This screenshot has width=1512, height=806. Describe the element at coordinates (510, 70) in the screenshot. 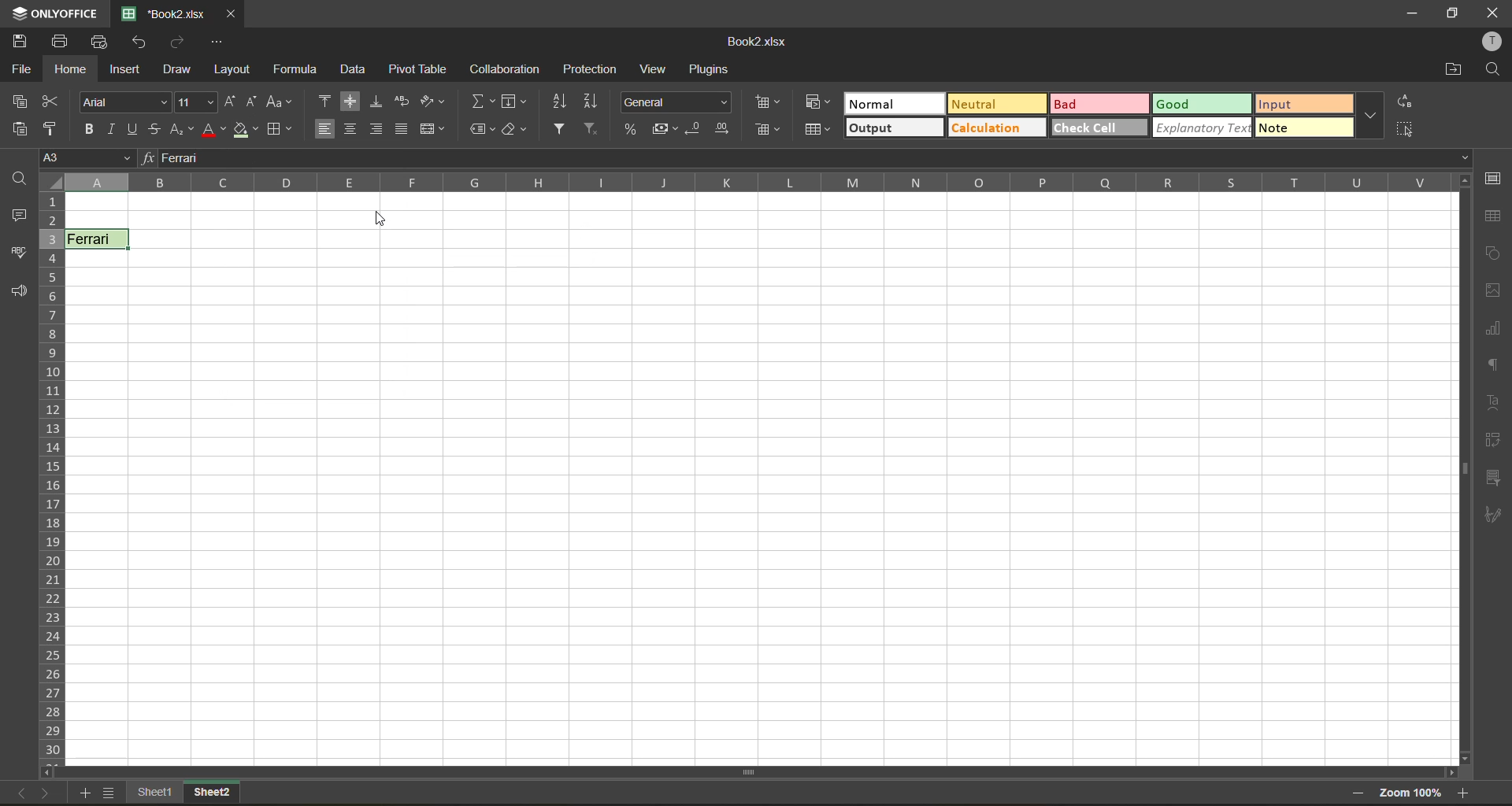

I see `collaboration` at that location.